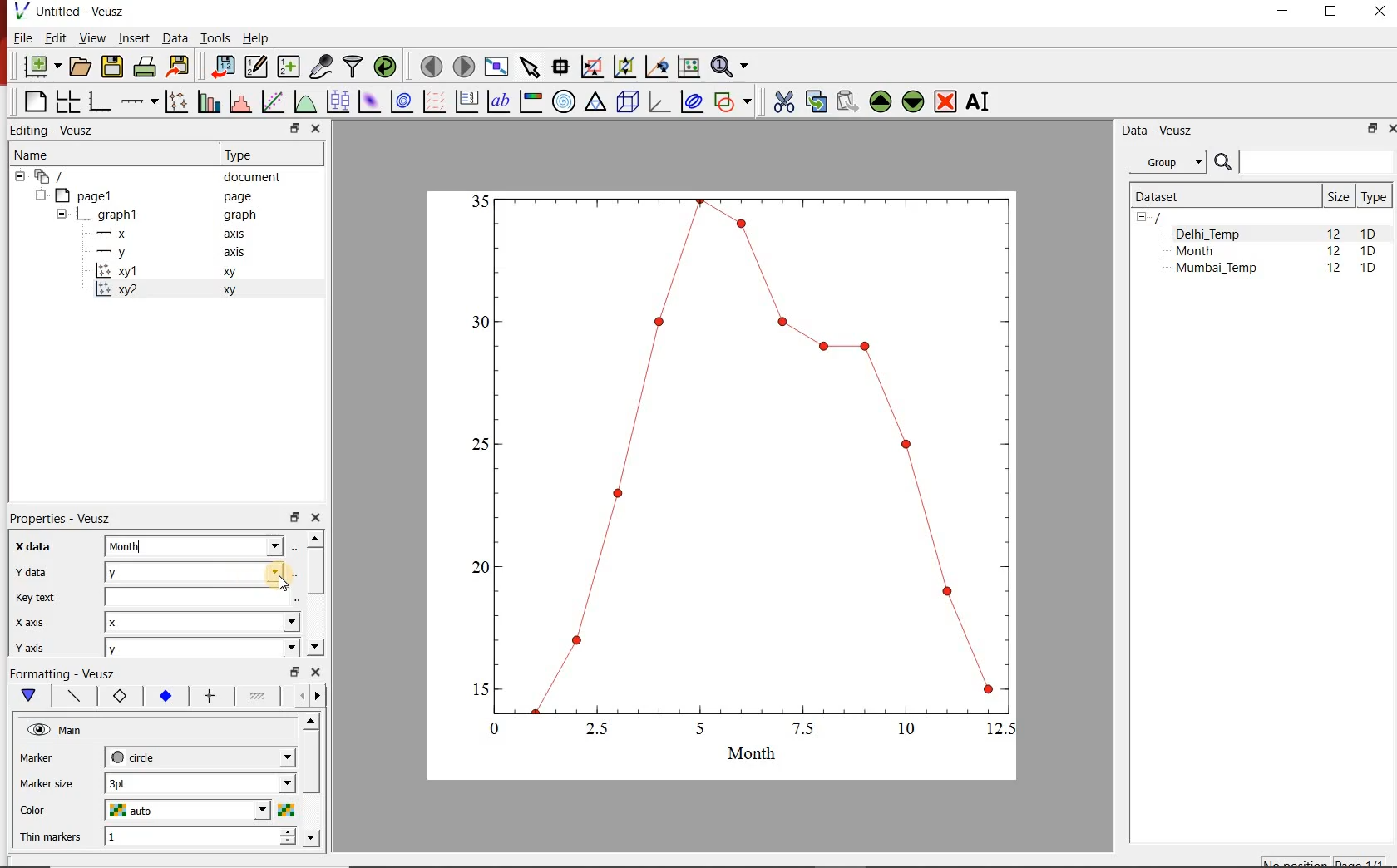 Image resolution: width=1397 pixels, height=868 pixels. Describe the element at coordinates (67, 673) in the screenshot. I see `Formatting - Veusz` at that location.